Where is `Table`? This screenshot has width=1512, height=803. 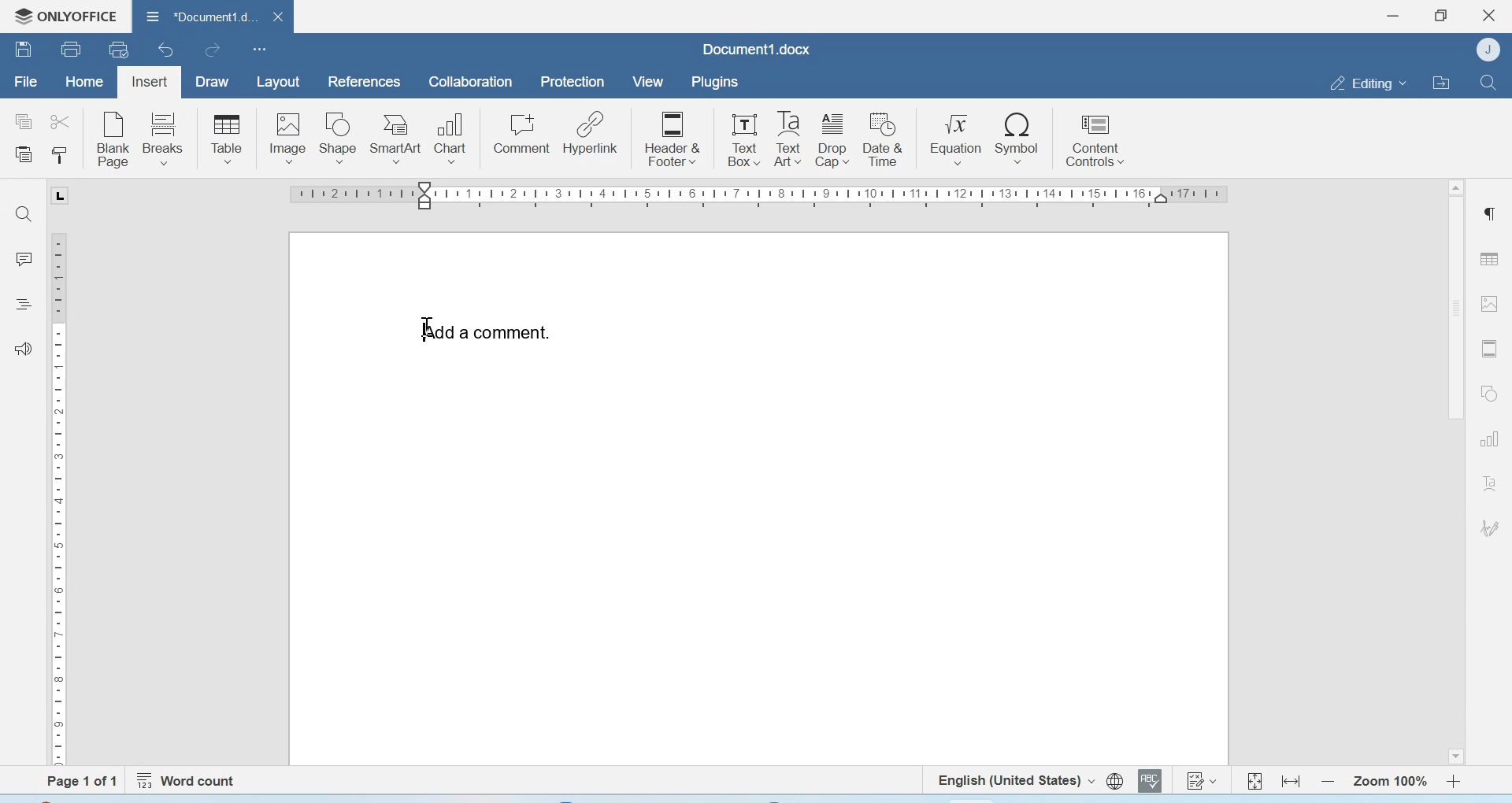 Table is located at coordinates (1489, 258).